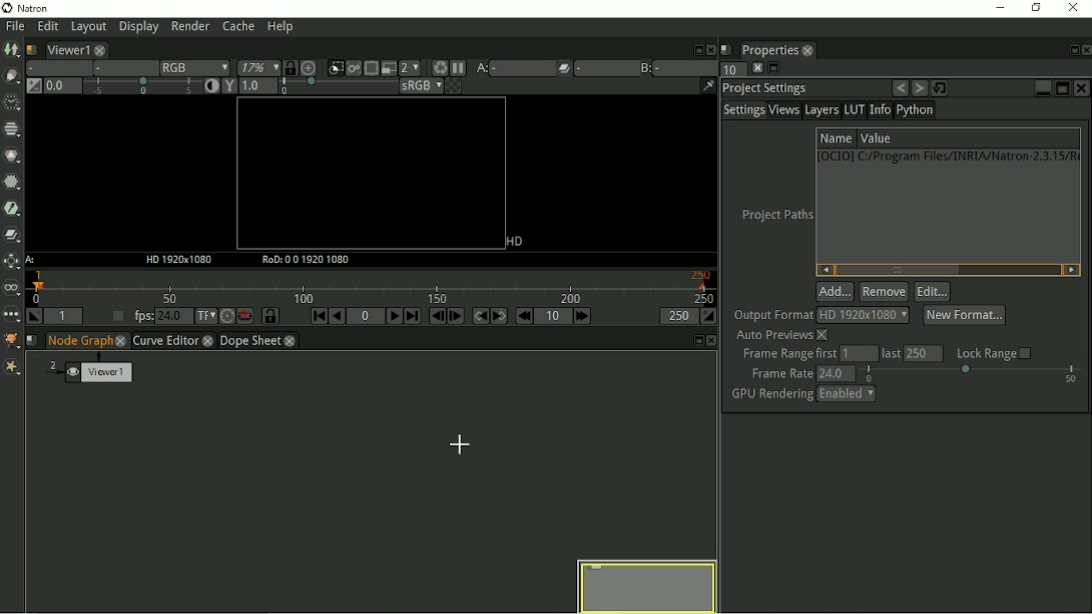  What do you see at coordinates (409, 67) in the screenshot?
I see `Scale down render` at bounding box center [409, 67].